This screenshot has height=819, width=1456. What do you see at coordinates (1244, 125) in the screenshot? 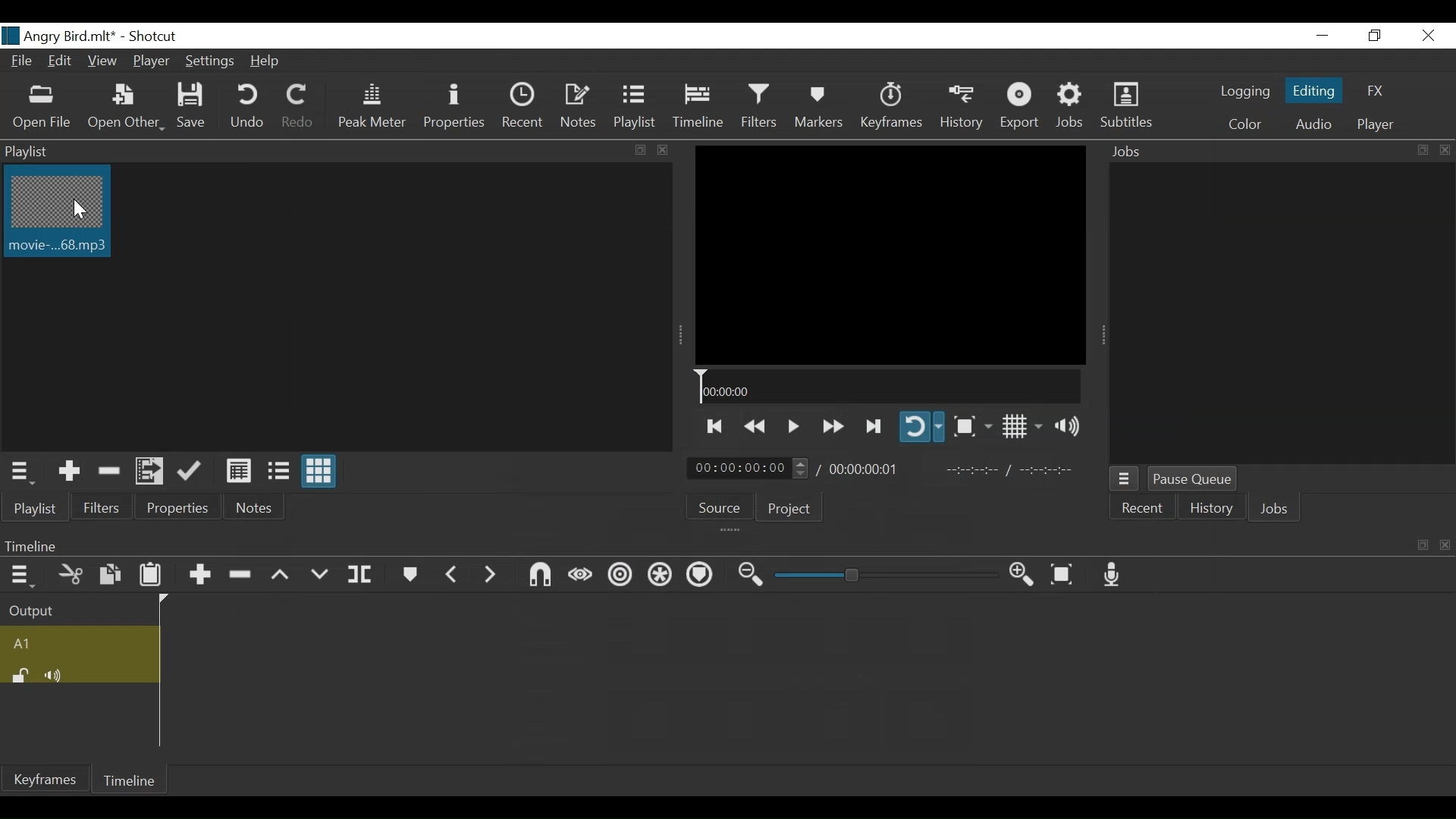
I see `Color` at bounding box center [1244, 125].